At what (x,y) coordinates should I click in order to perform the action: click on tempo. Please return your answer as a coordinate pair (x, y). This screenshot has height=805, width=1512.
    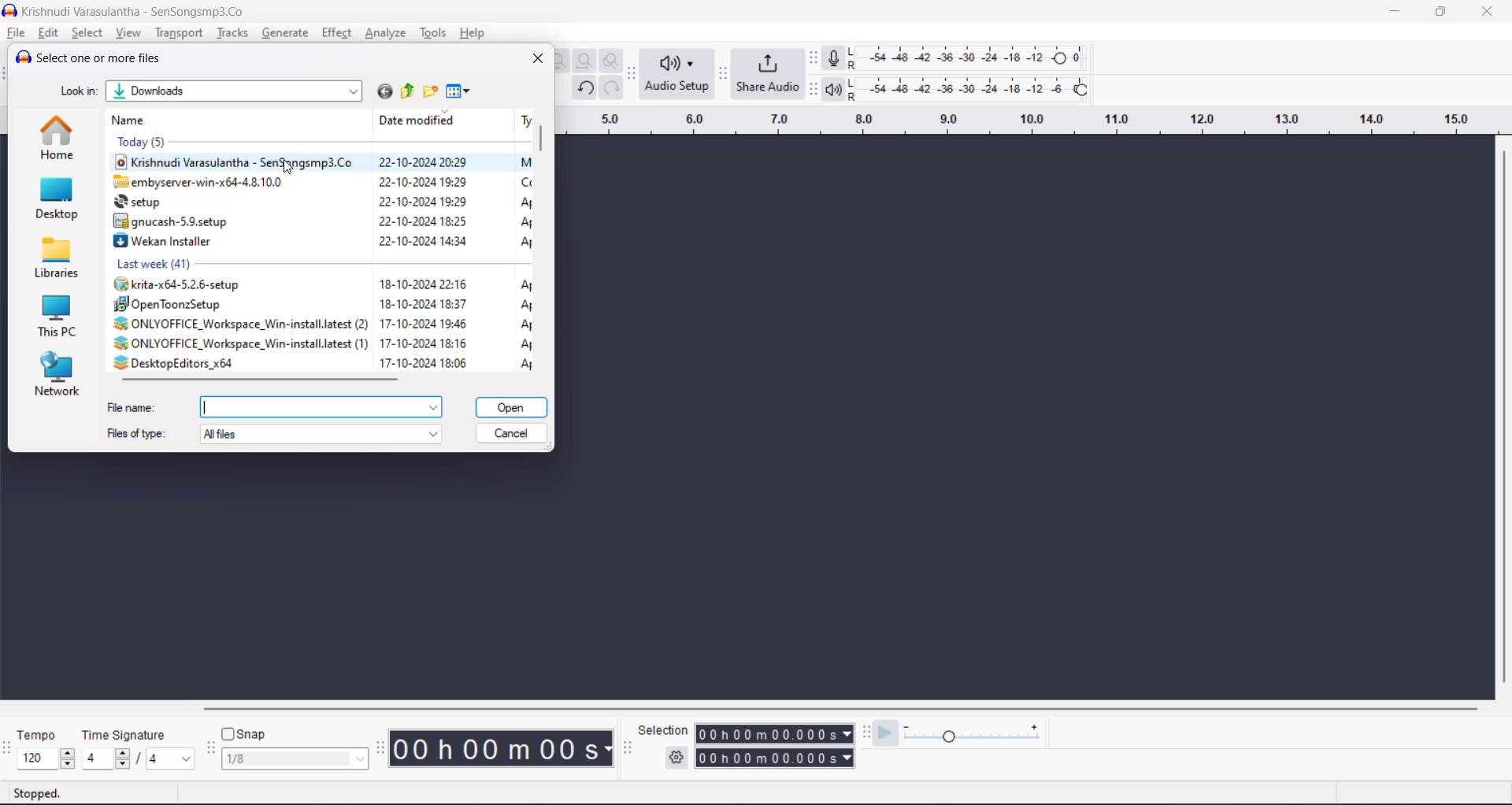
    Looking at the image, I should click on (41, 736).